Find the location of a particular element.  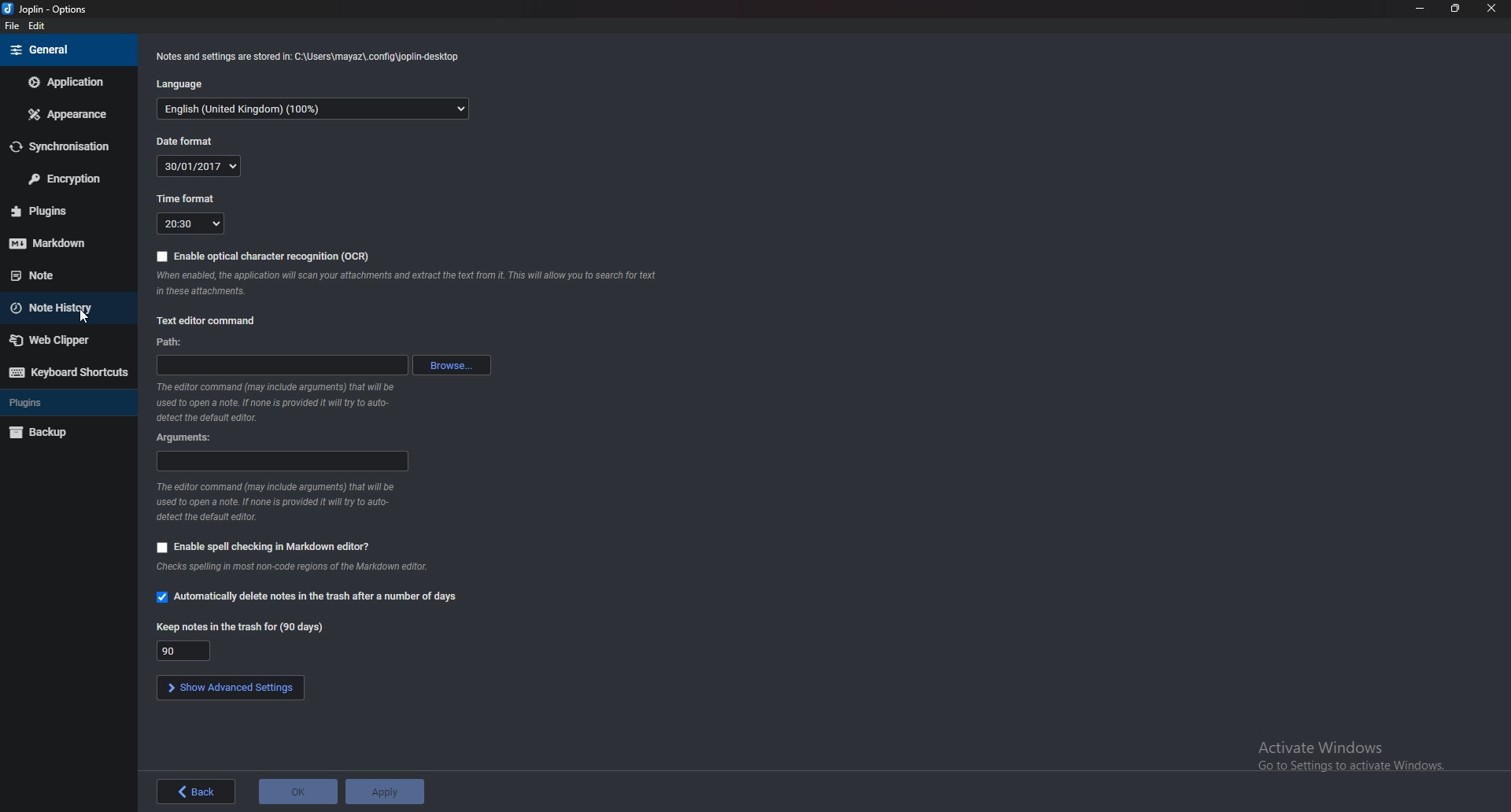

Keyboard shortcuts is located at coordinates (66, 372).